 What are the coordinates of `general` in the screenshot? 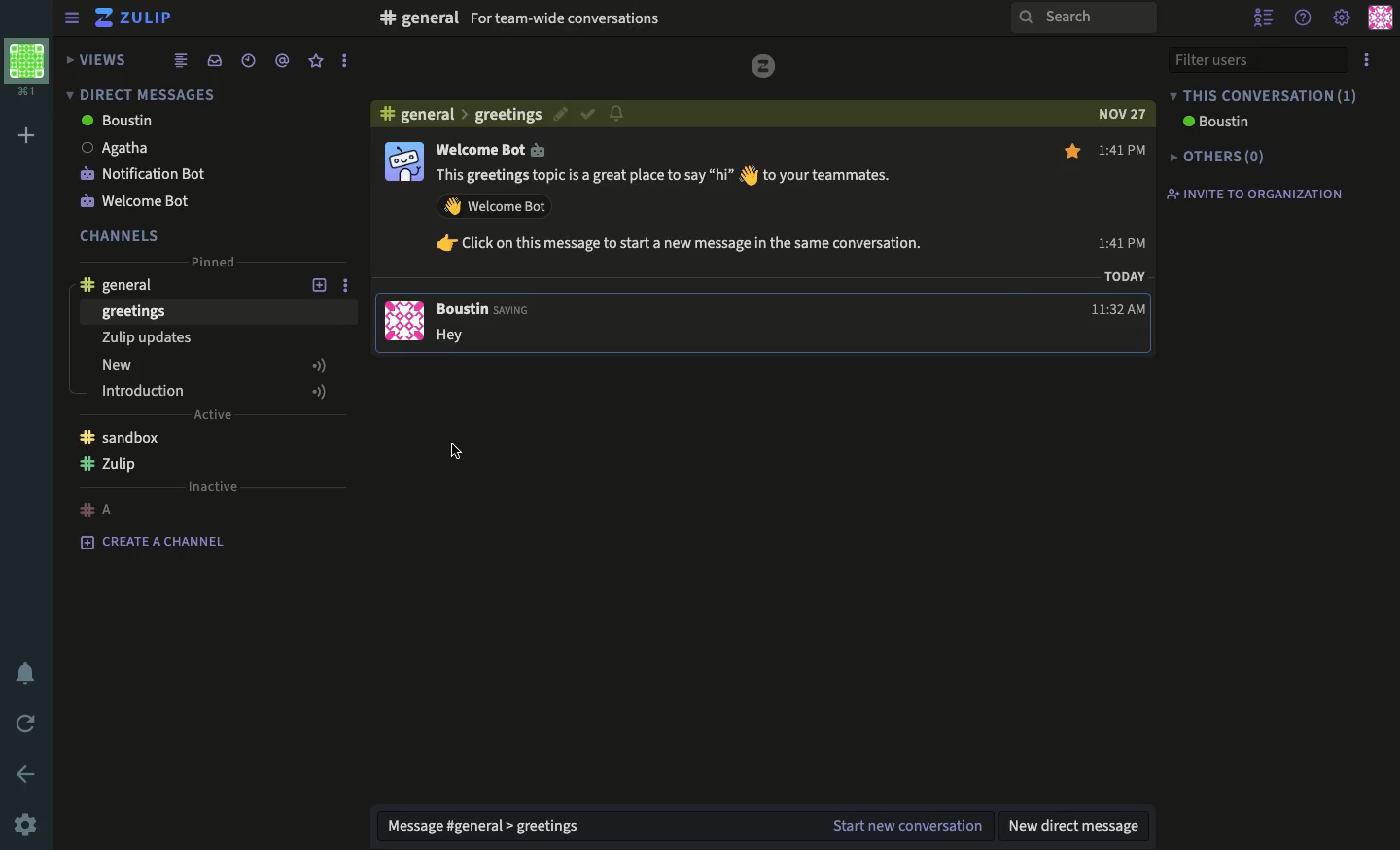 It's located at (454, 113).